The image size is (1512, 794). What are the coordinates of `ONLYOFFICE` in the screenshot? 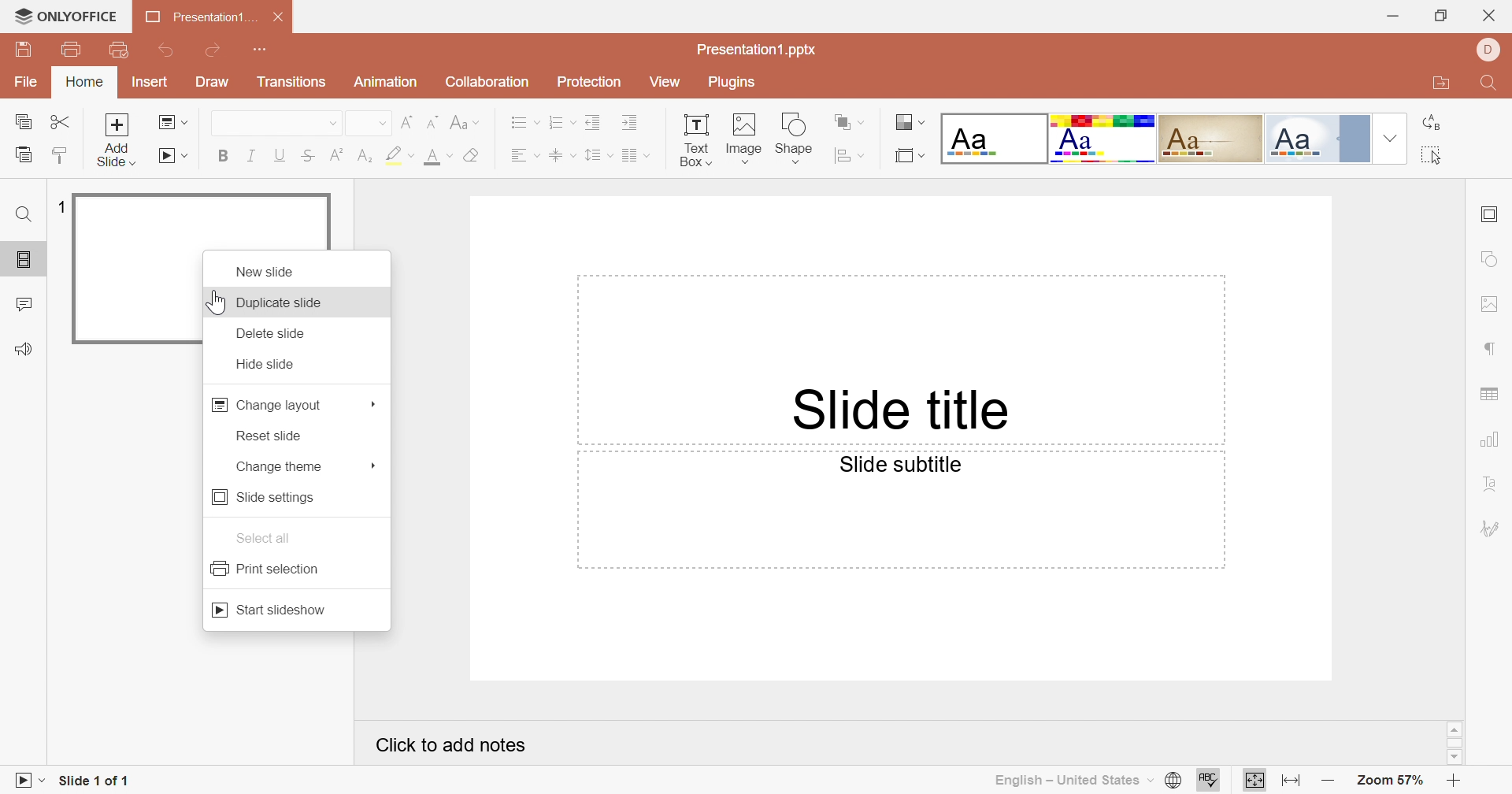 It's located at (65, 14).